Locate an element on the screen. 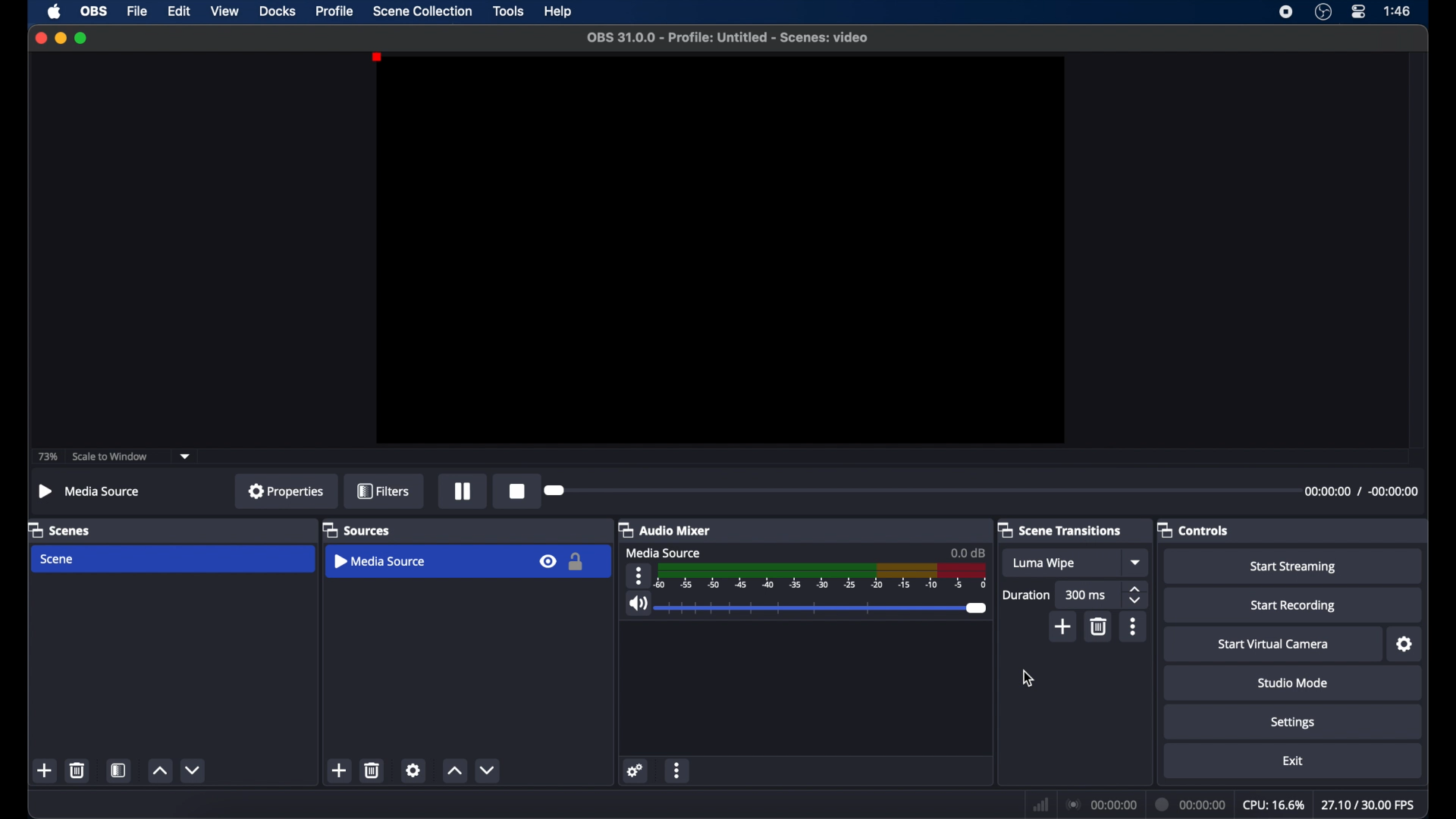  obs is located at coordinates (95, 11).